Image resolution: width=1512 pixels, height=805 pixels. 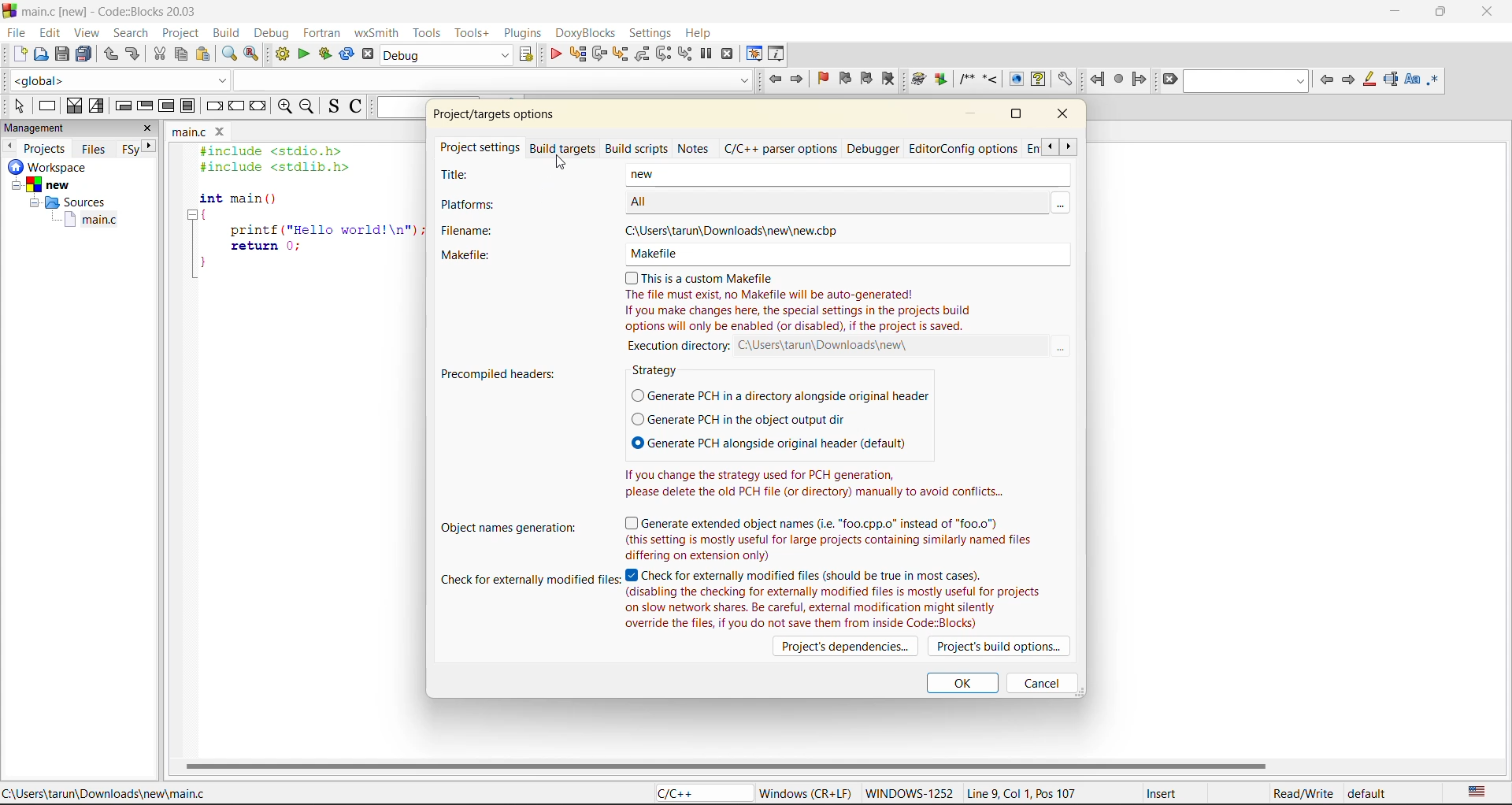 I want to click on C/C++, so click(x=698, y=792).